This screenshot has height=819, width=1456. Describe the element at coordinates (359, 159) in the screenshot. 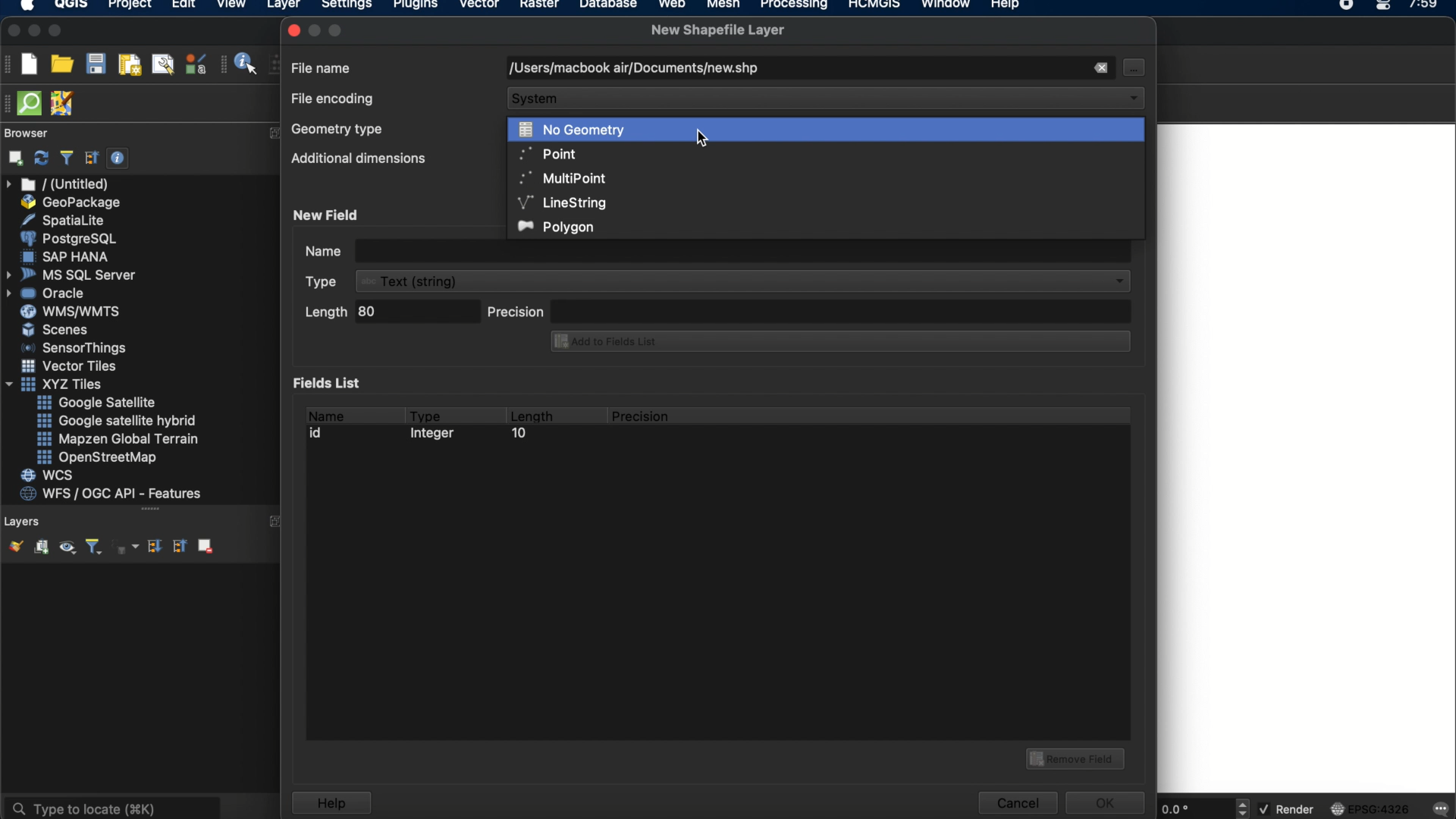

I see `Additional dimensions` at that location.